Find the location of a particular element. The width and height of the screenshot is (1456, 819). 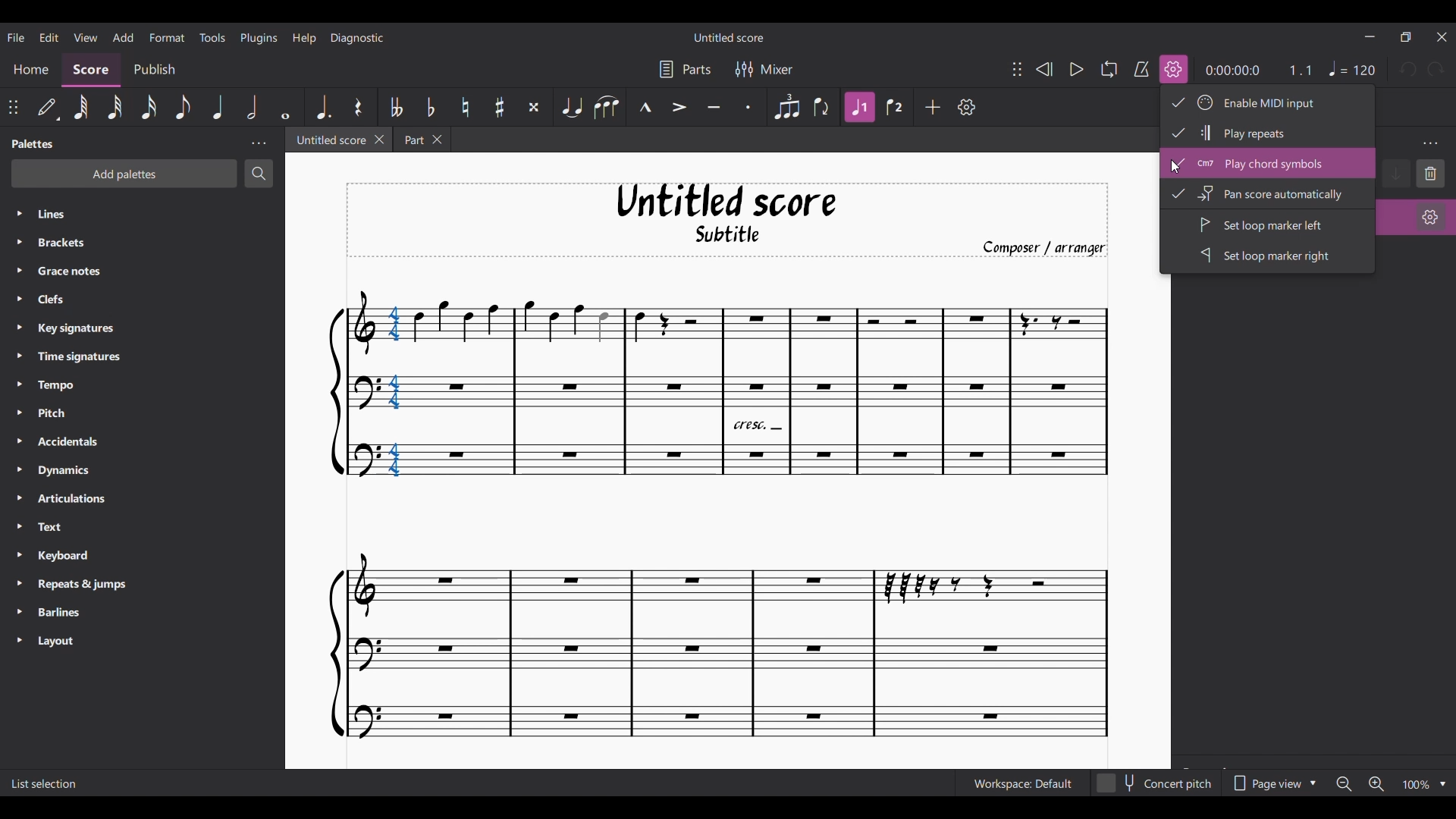

Close current tab is located at coordinates (379, 140).